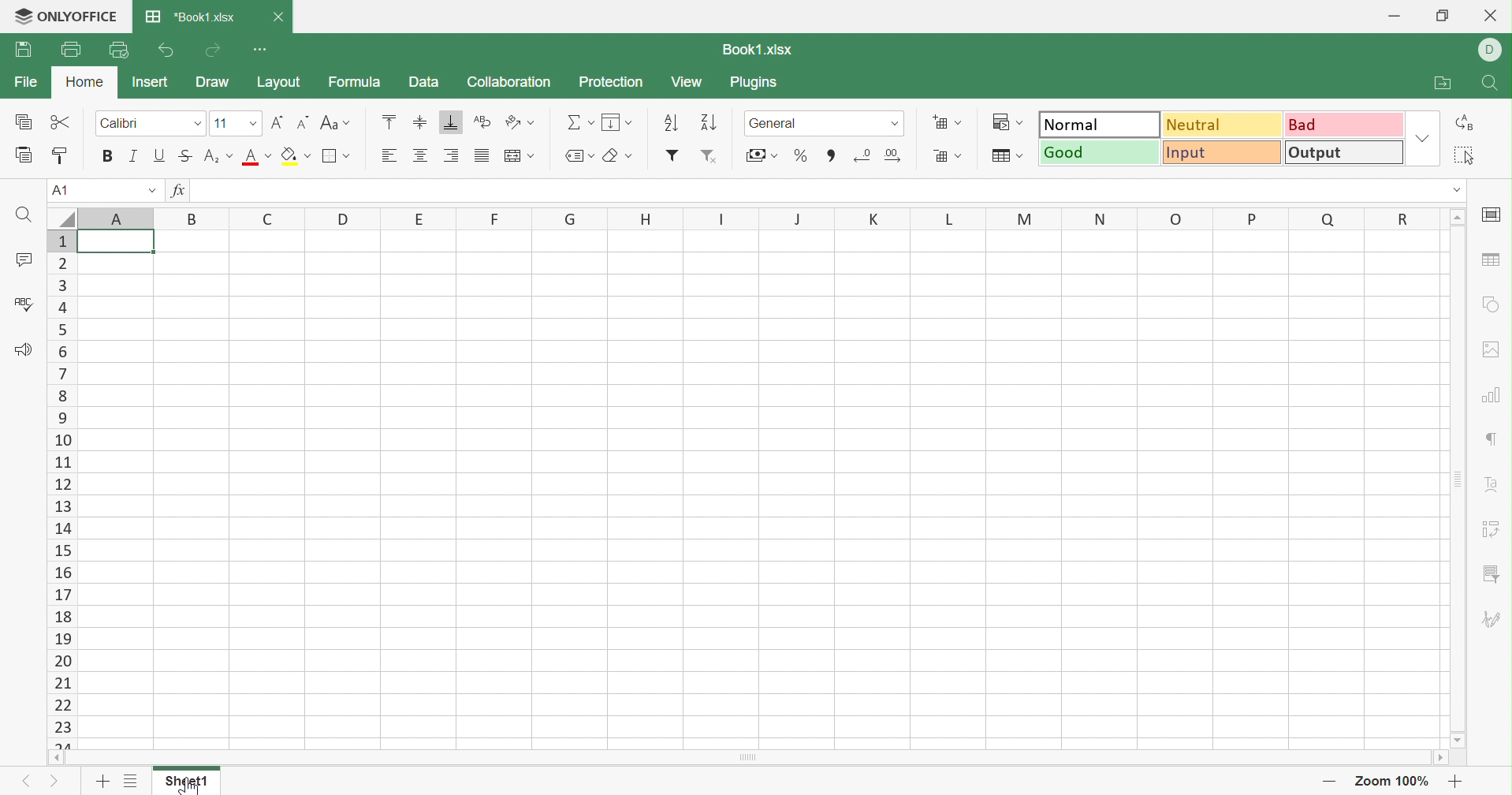 The image size is (1512, 795). I want to click on Format as table template, so click(1008, 154).